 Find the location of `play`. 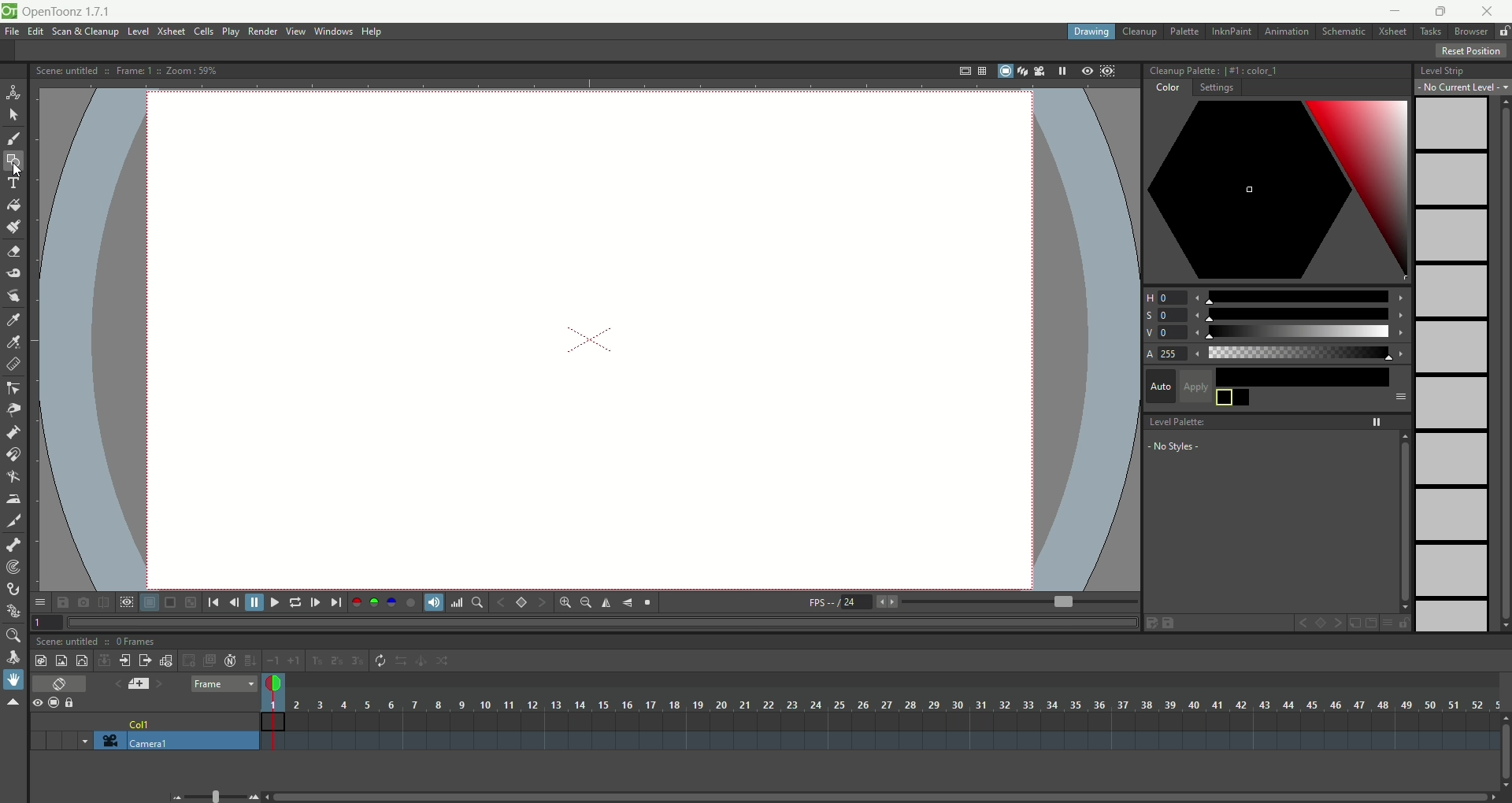

play is located at coordinates (272, 602).